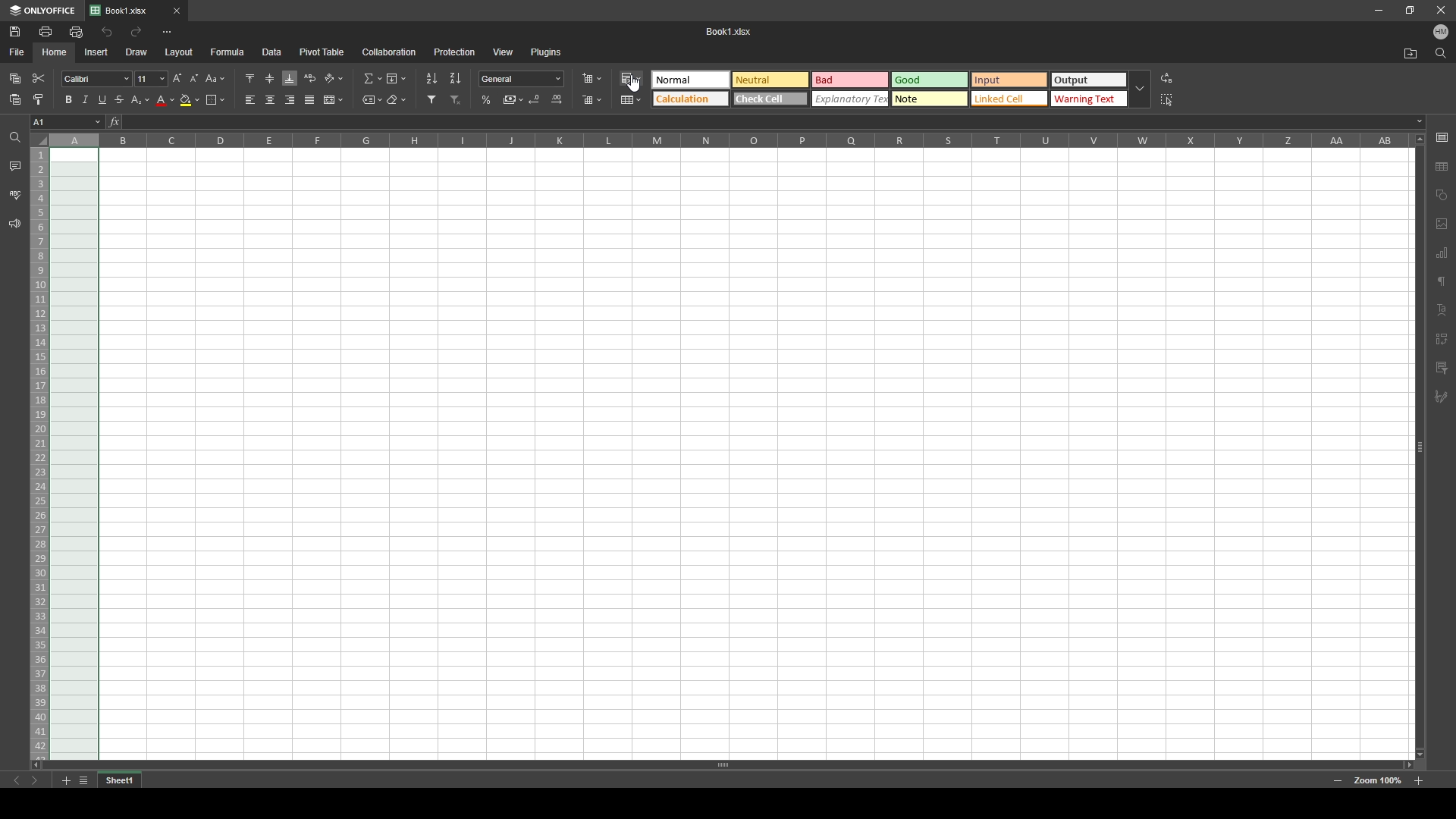 Image resolution: width=1456 pixels, height=819 pixels. Describe the element at coordinates (722, 764) in the screenshot. I see `scroll bar` at that location.